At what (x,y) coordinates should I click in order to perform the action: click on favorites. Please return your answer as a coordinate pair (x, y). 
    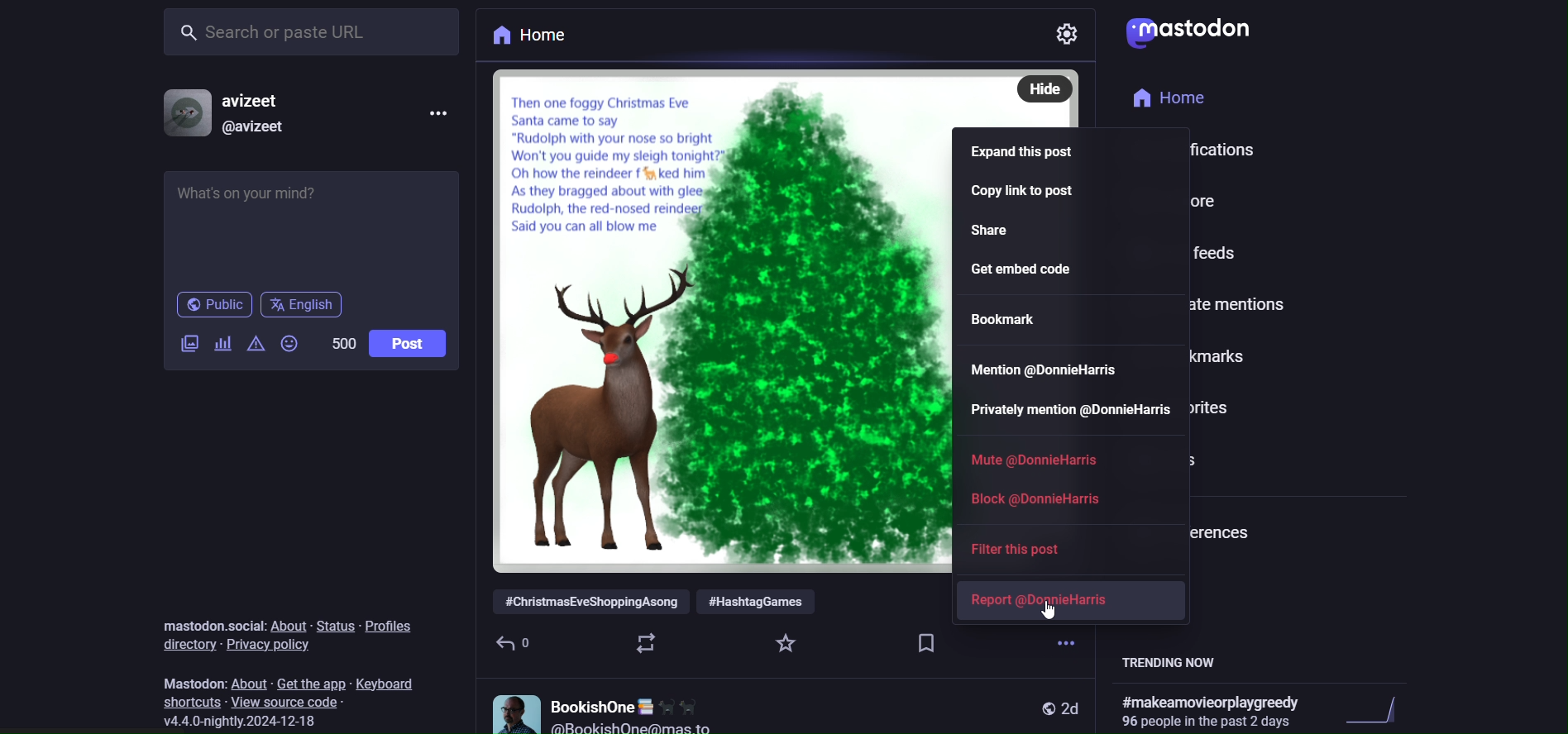
    Looking at the image, I should click on (1210, 405).